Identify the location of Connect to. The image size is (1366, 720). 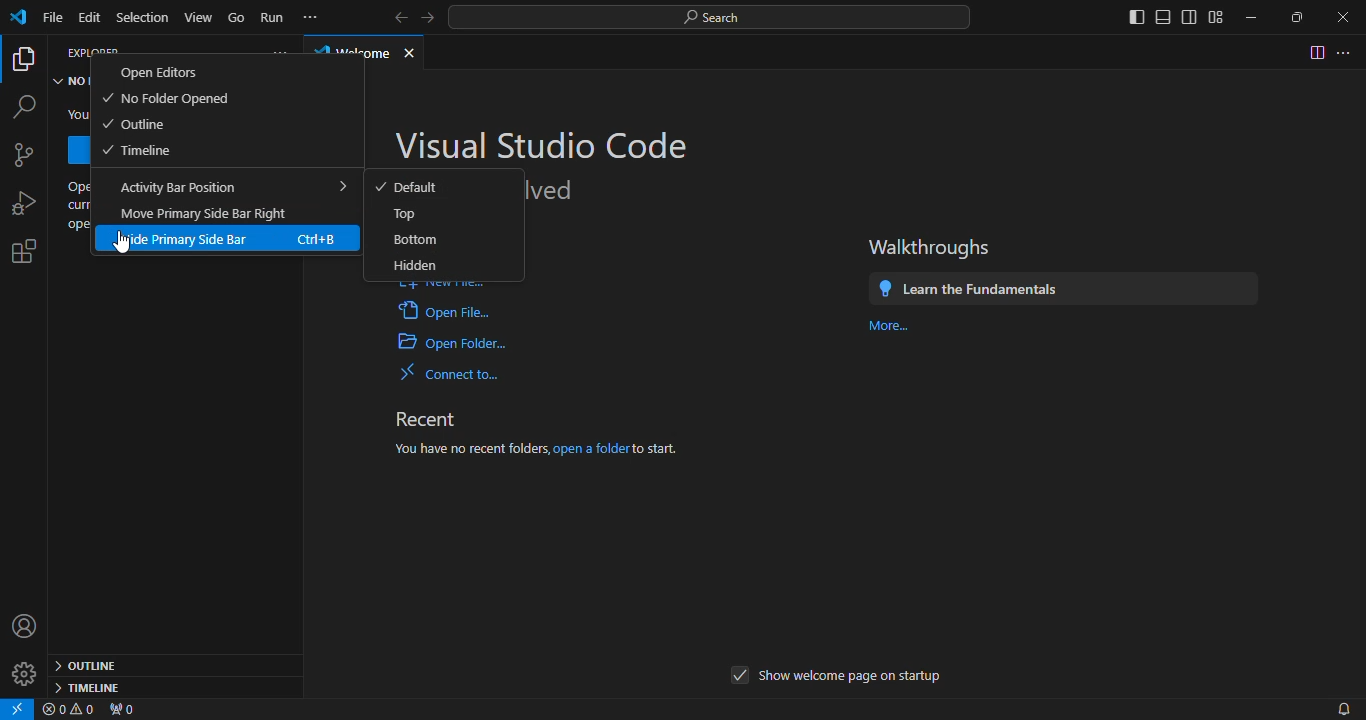
(456, 372).